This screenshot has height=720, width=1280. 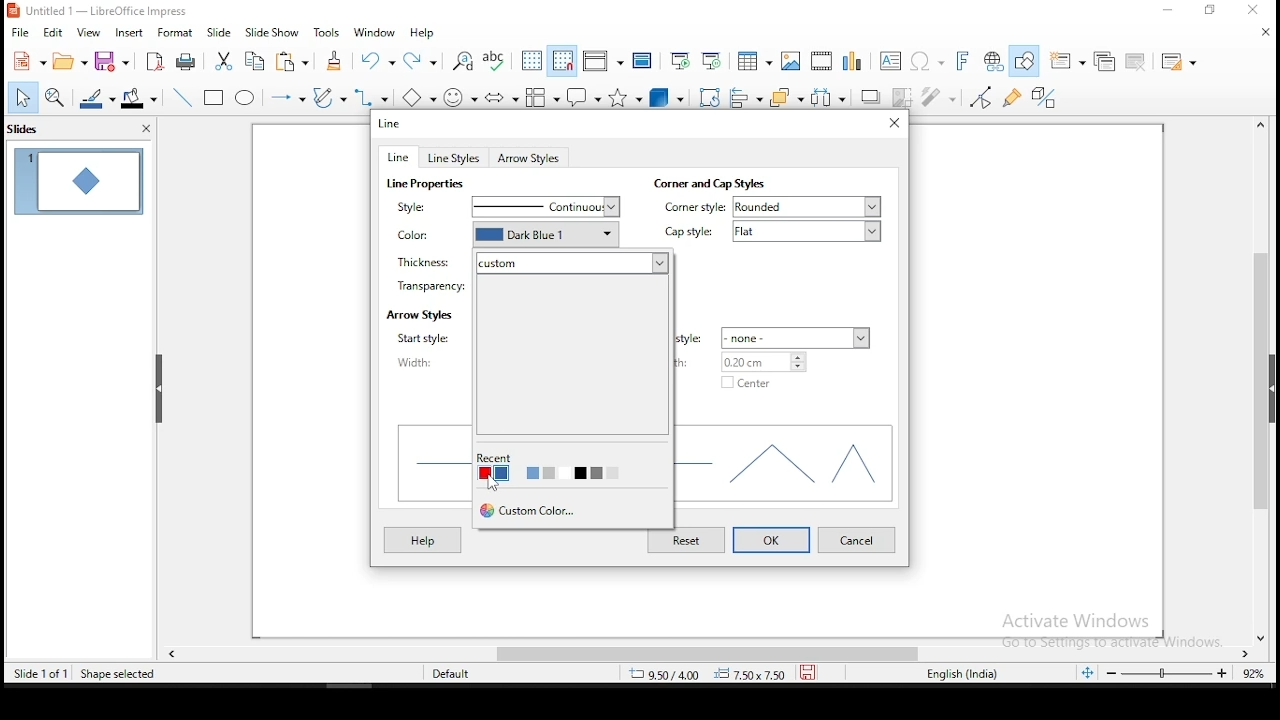 I want to click on table, so click(x=755, y=59).